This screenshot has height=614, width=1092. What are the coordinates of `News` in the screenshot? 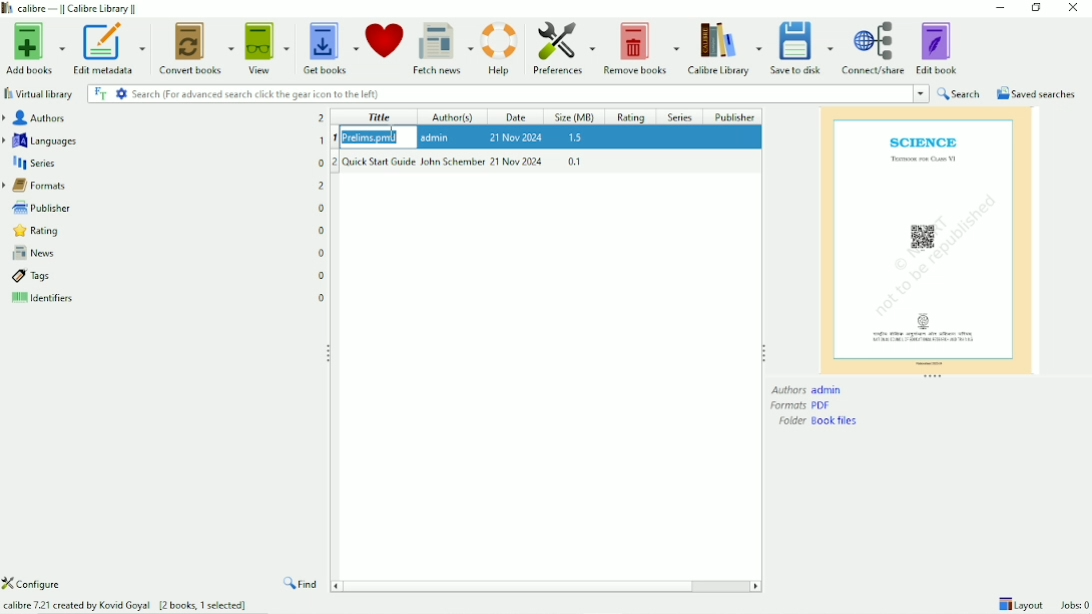 It's located at (30, 254).